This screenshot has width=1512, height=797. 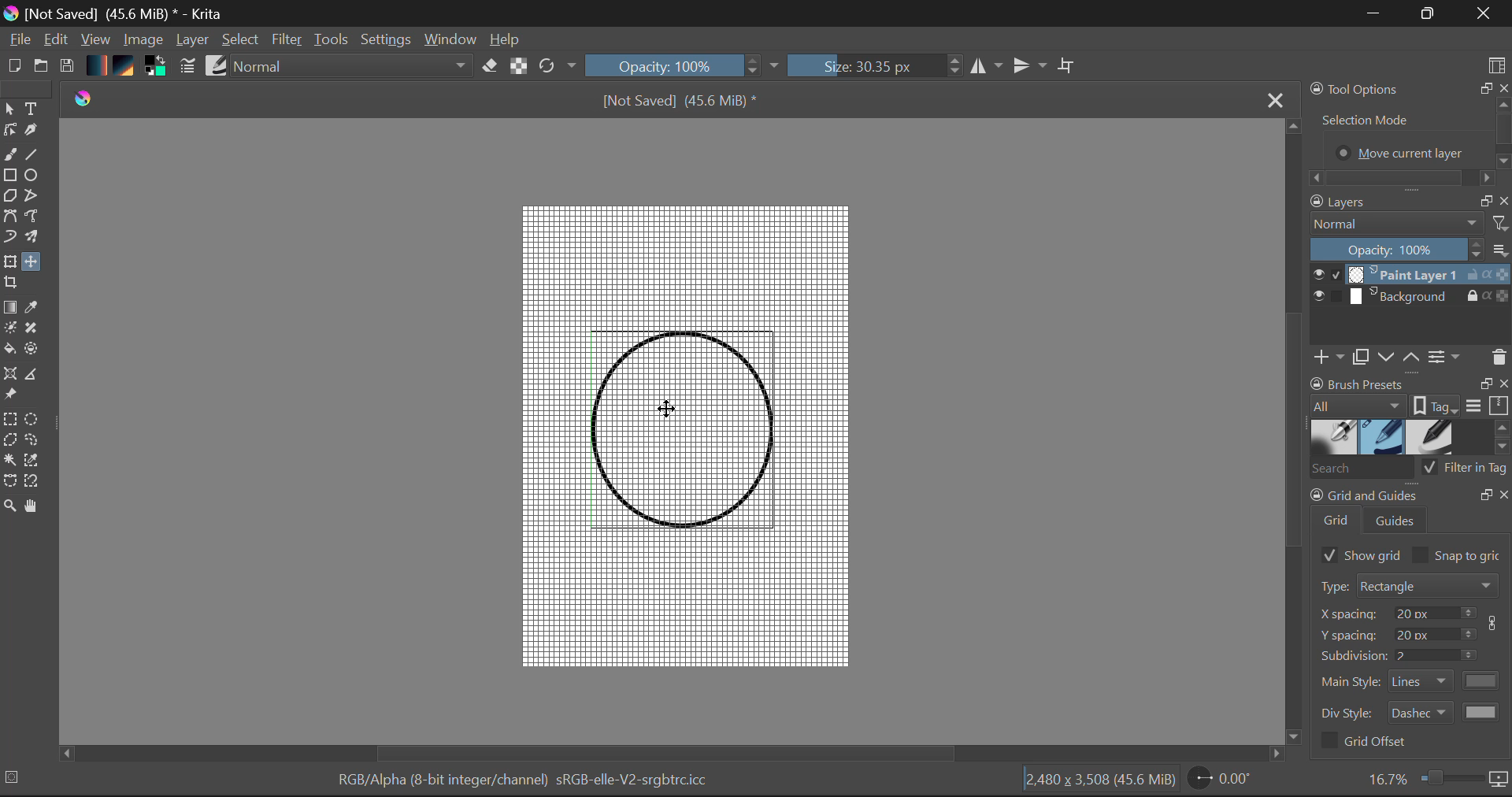 I want to click on Continuous Selection, so click(x=9, y=462).